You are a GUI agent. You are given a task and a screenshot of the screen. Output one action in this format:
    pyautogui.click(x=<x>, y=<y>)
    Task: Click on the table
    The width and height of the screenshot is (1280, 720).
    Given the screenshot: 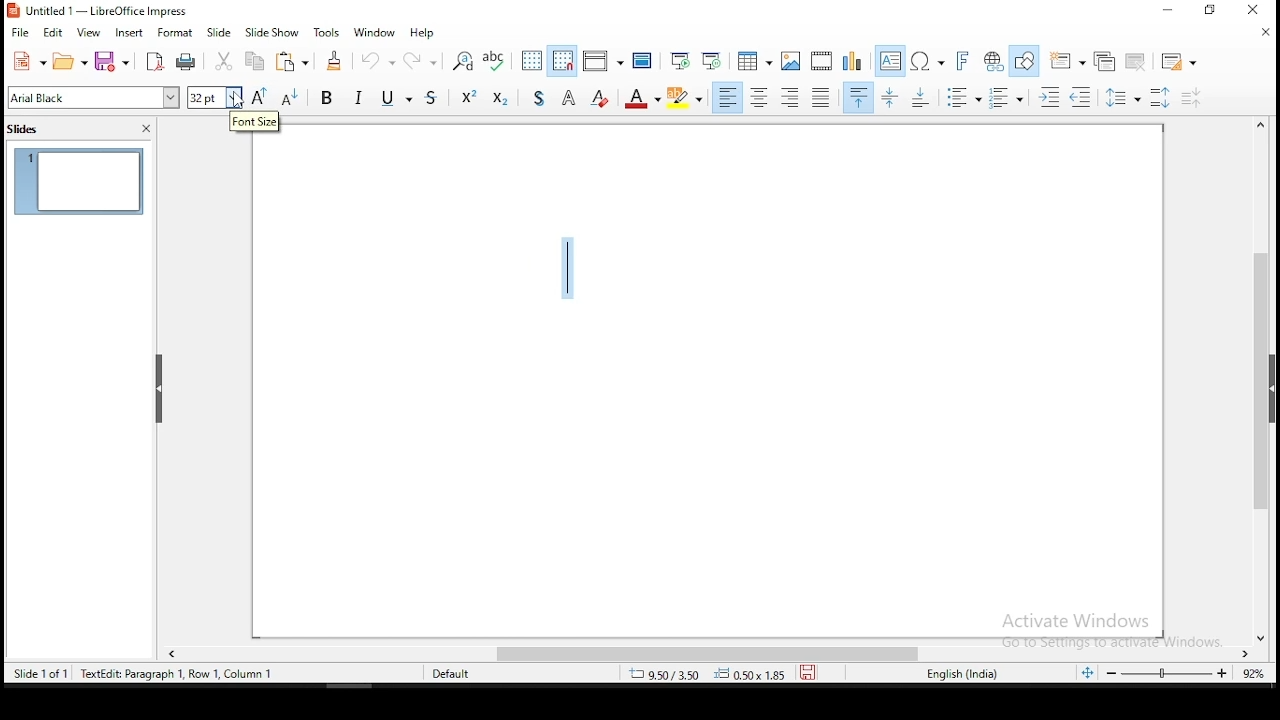 What is the action you would take?
    pyautogui.click(x=755, y=58)
    